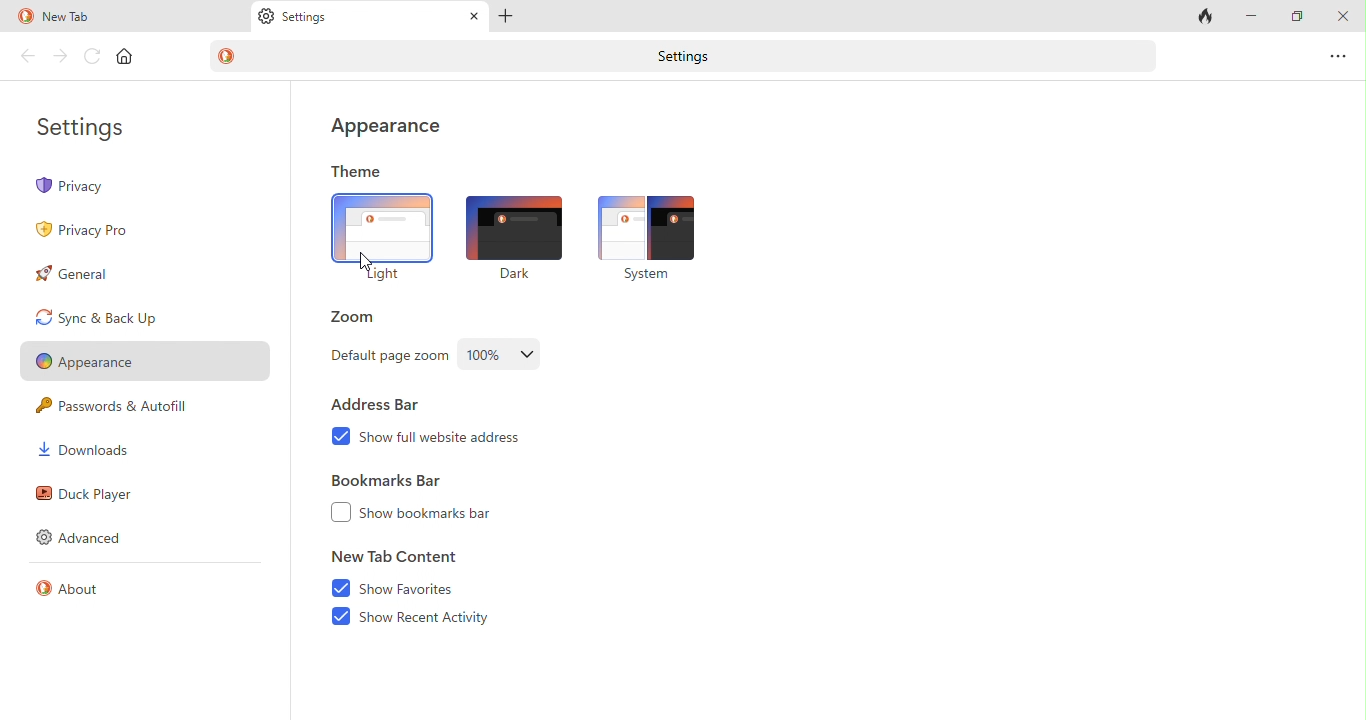  Describe the element at coordinates (96, 452) in the screenshot. I see `download` at that location.